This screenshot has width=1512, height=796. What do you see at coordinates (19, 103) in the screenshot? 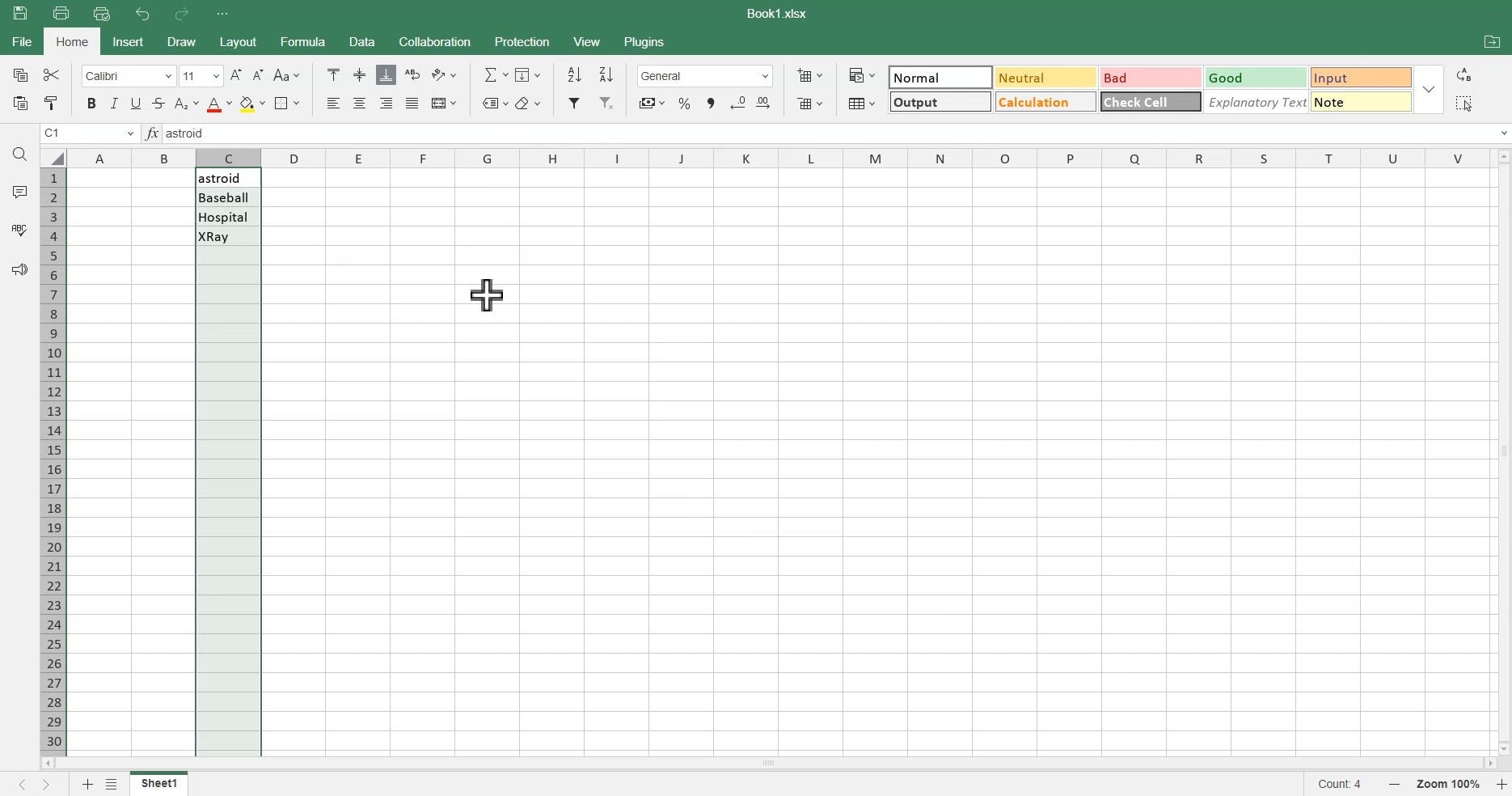
I see `Paste` at bounding box center [19, 103].